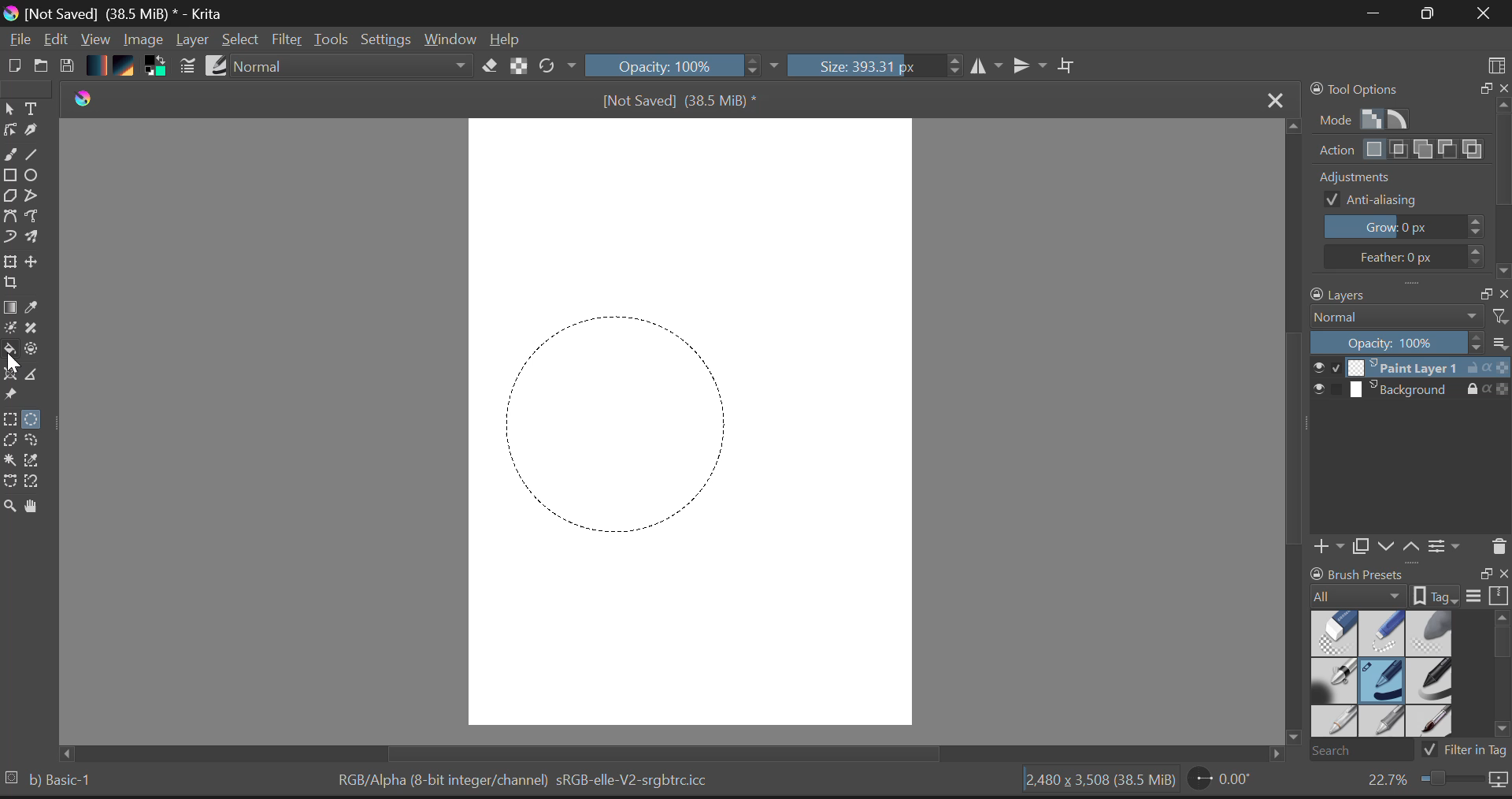 The image size is (1512, 799). What do you see at coordinates (98, 66) in the screenshot?
I see `Gradient` at bounding box center [98, 66].